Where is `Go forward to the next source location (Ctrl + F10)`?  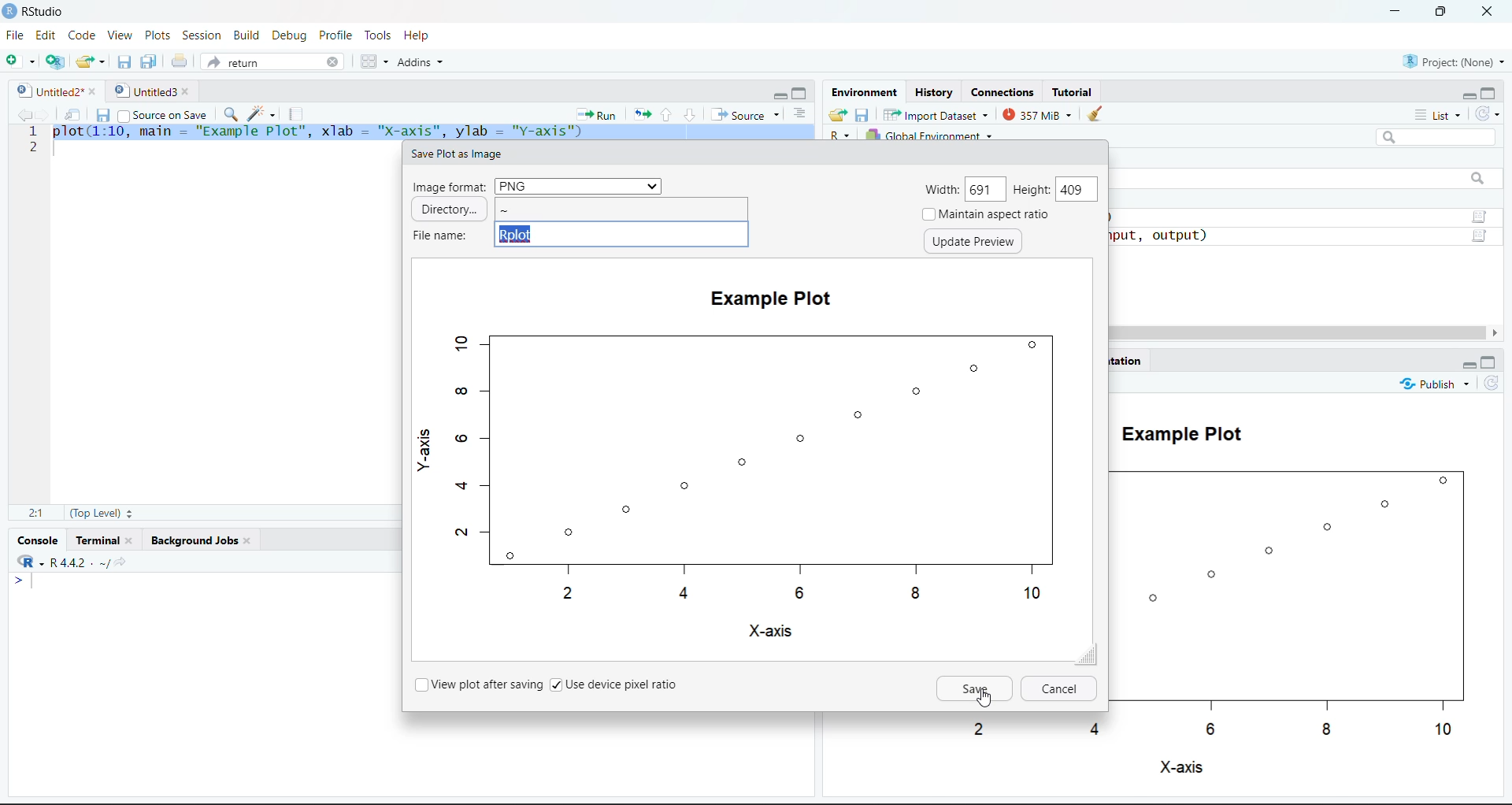 Go forward to the next source location (Ctrl + F10) is located at coordinates (45, 112).